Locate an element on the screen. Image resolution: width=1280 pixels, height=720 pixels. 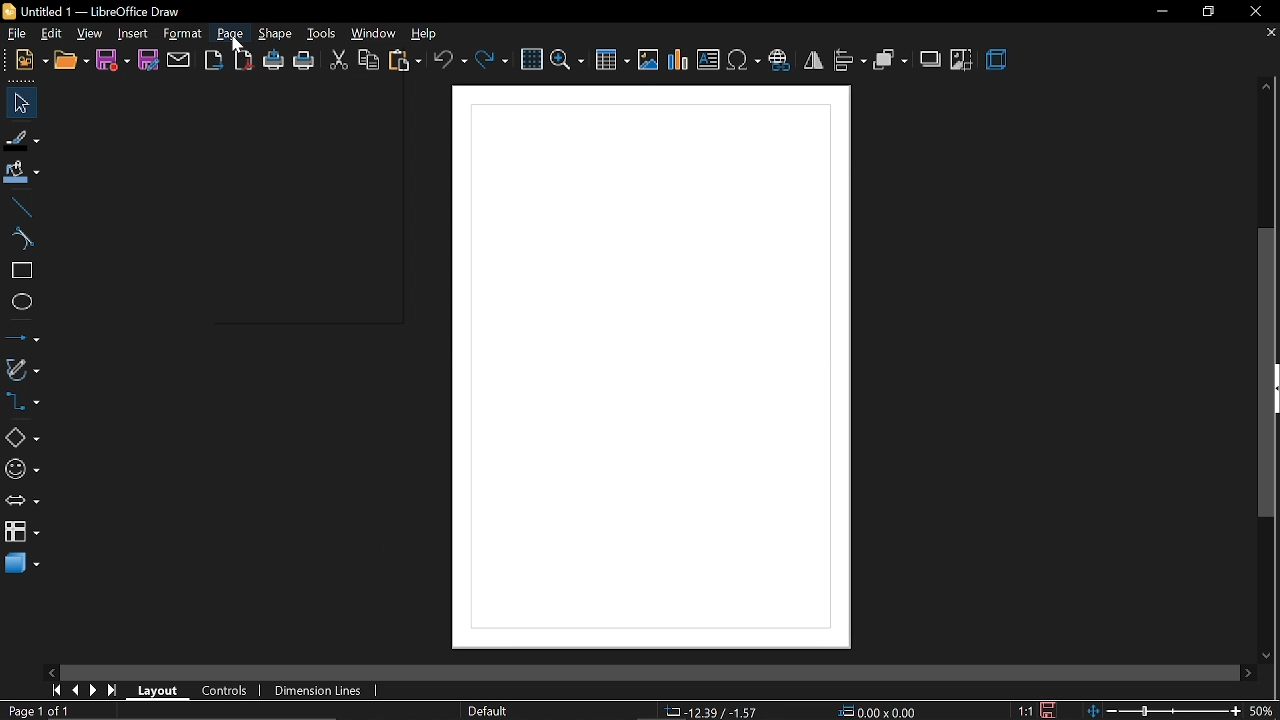
shape is located at coordinates (278, 34).